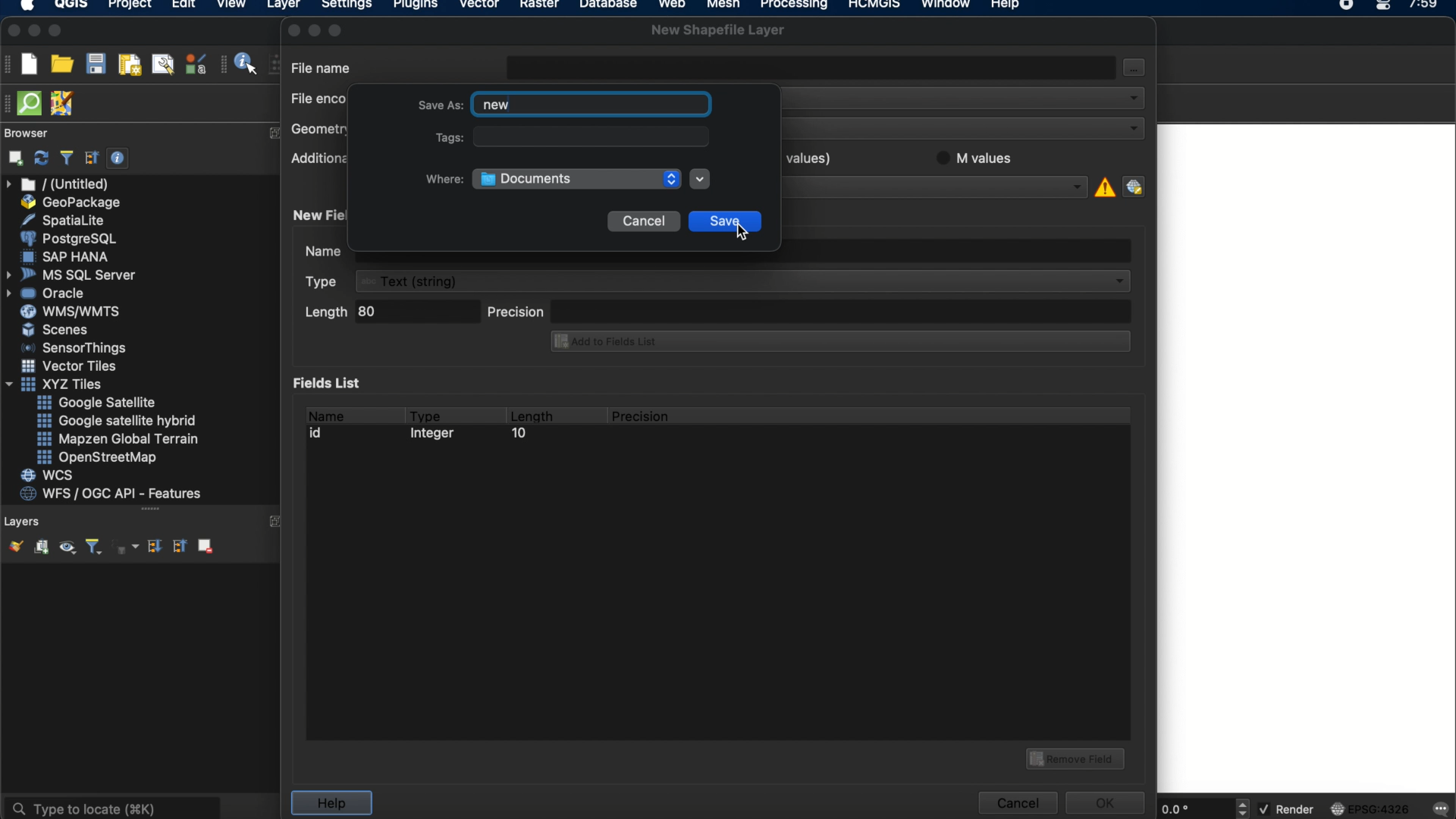 Image resolution: width=1456 pixels, height=819 pixels. I want to click on open the layer, so click(12, 546).